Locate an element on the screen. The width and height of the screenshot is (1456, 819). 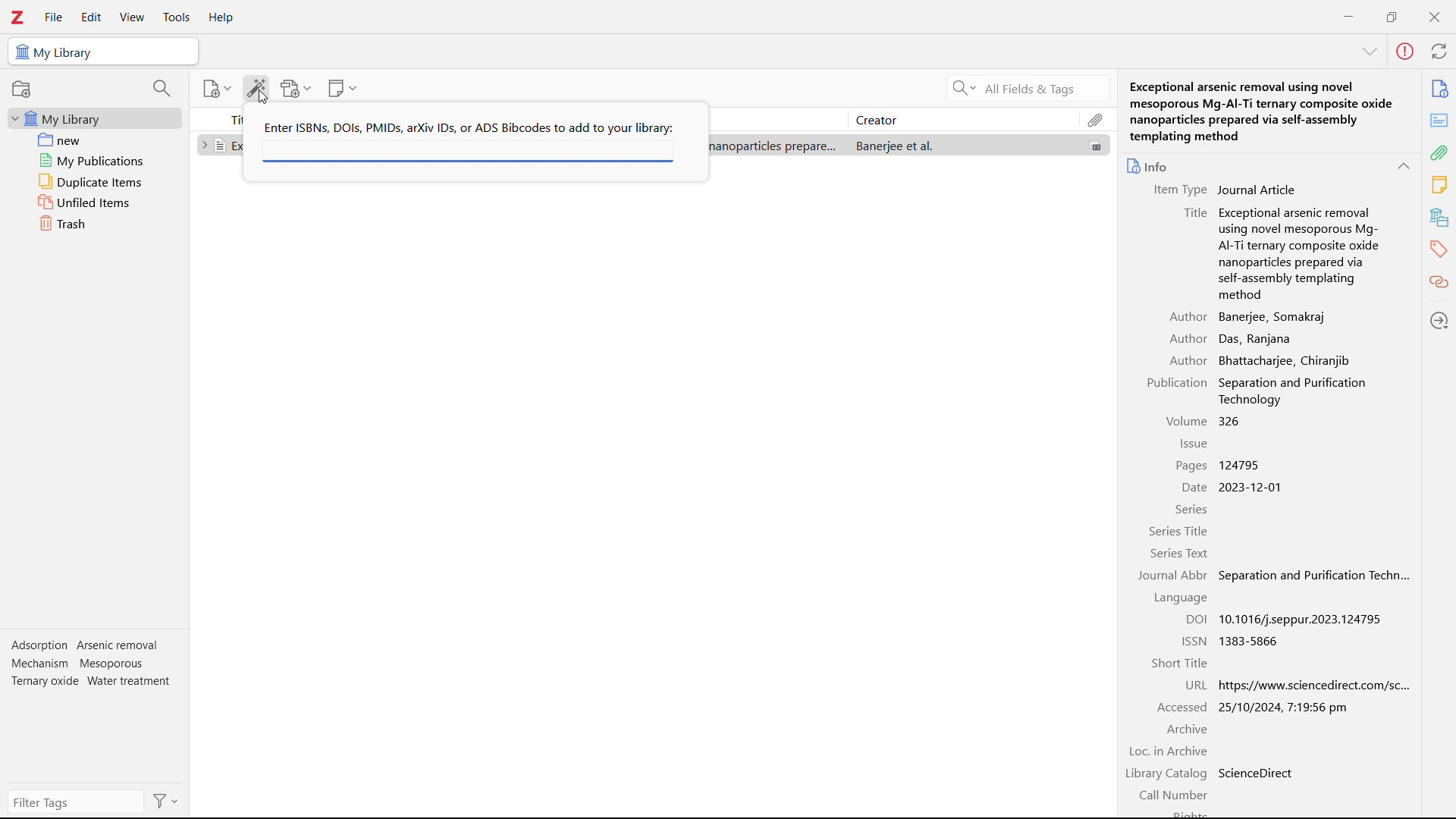
25/10/2024, 7:19:36 pm is located at coordinates (1285, 707).